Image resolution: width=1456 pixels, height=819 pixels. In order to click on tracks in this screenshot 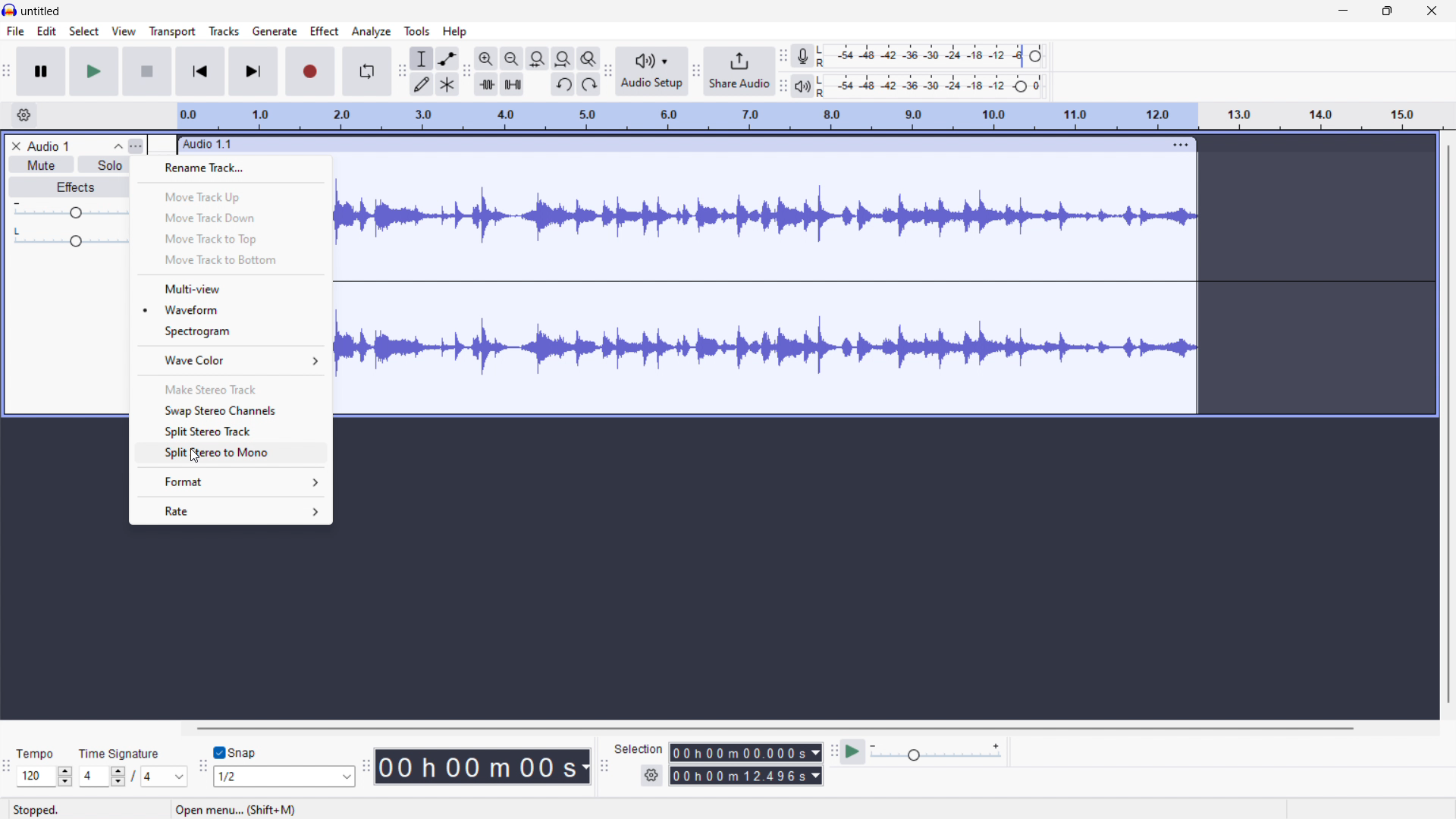, I will do `click(224, 31)`.